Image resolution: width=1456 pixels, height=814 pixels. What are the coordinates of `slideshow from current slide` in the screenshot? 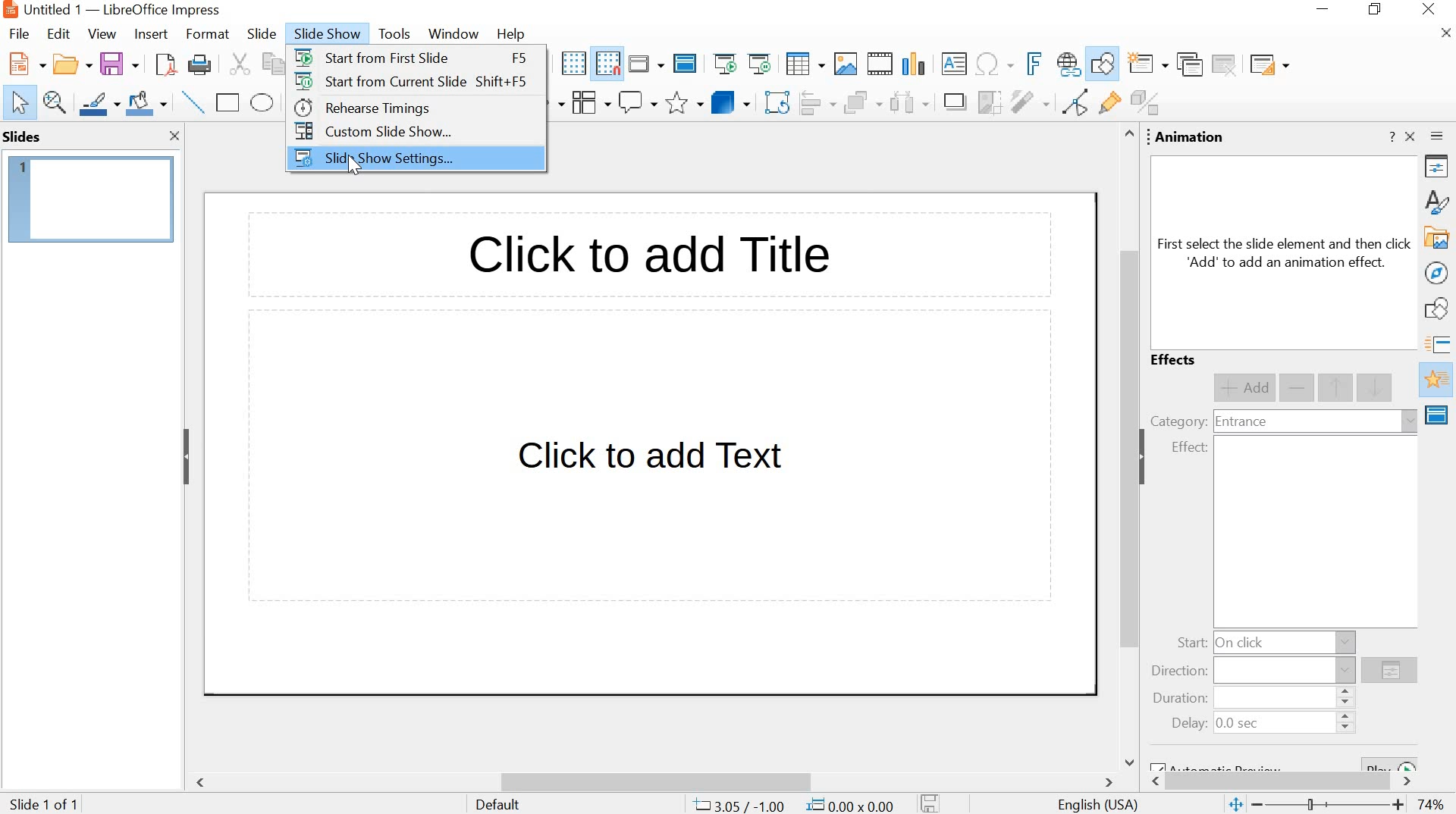 It's located at (762, 64).